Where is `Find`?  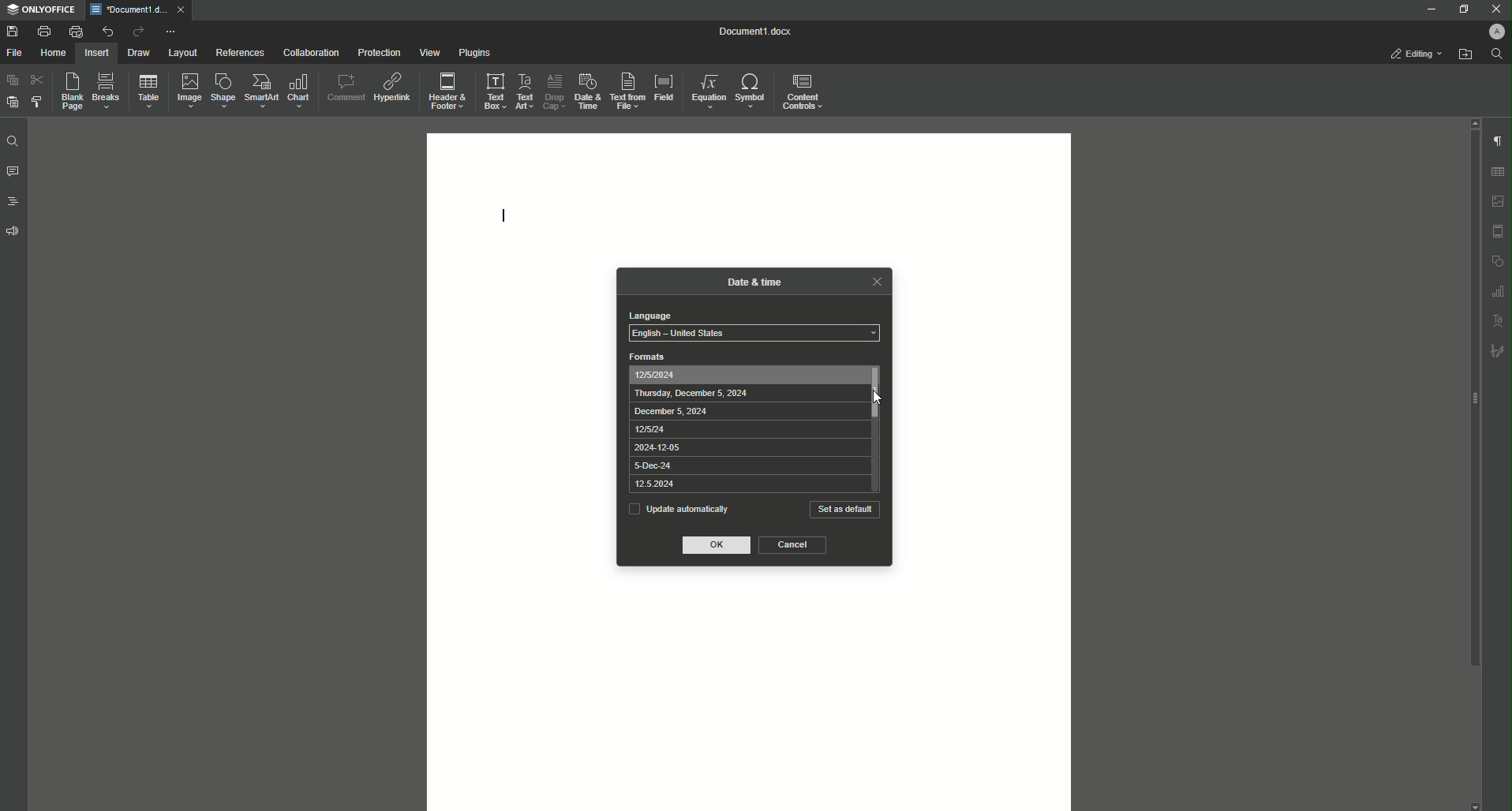 Find is located at coordinates (1496, 54).